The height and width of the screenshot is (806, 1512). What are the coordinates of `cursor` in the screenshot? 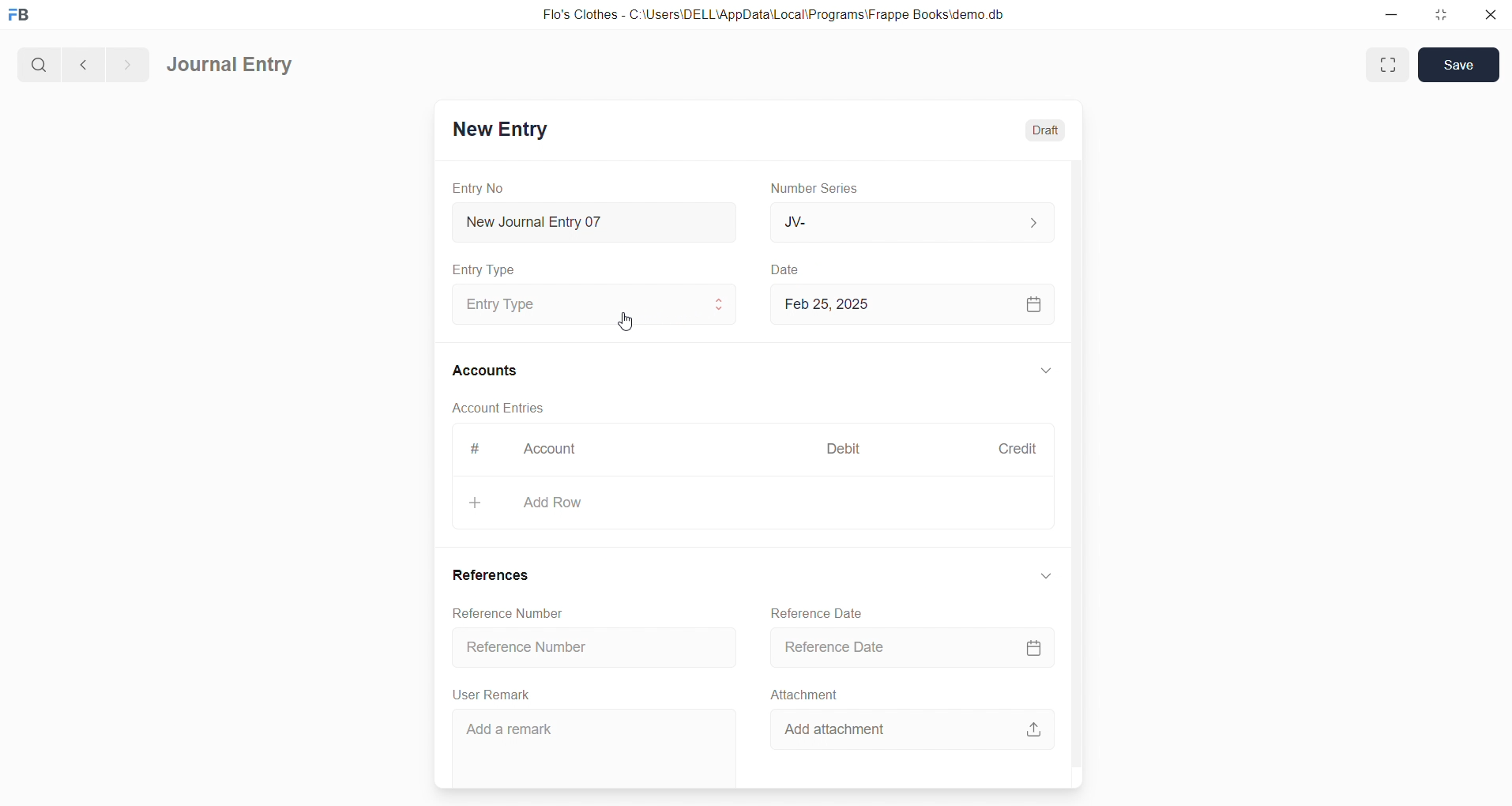 It's located at (623, 321).